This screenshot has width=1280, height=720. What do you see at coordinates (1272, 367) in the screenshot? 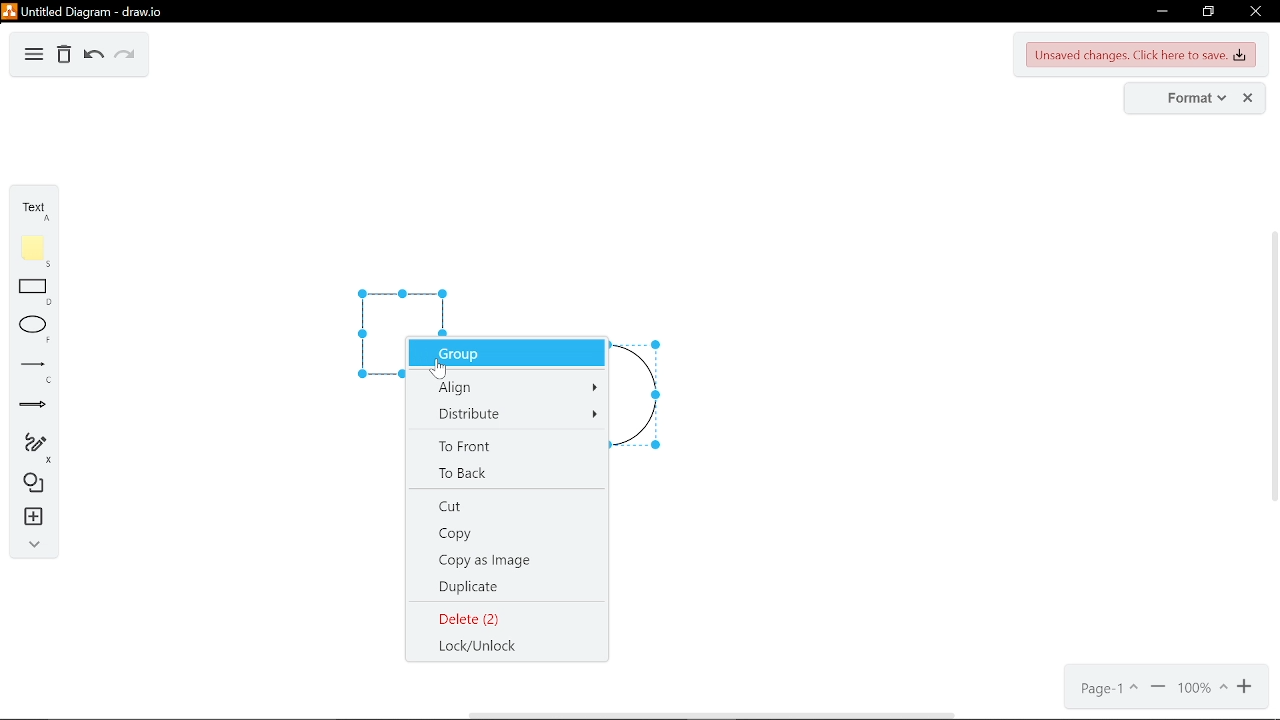
I see `vertical scrollbar` at bounding box center [1272, 367].